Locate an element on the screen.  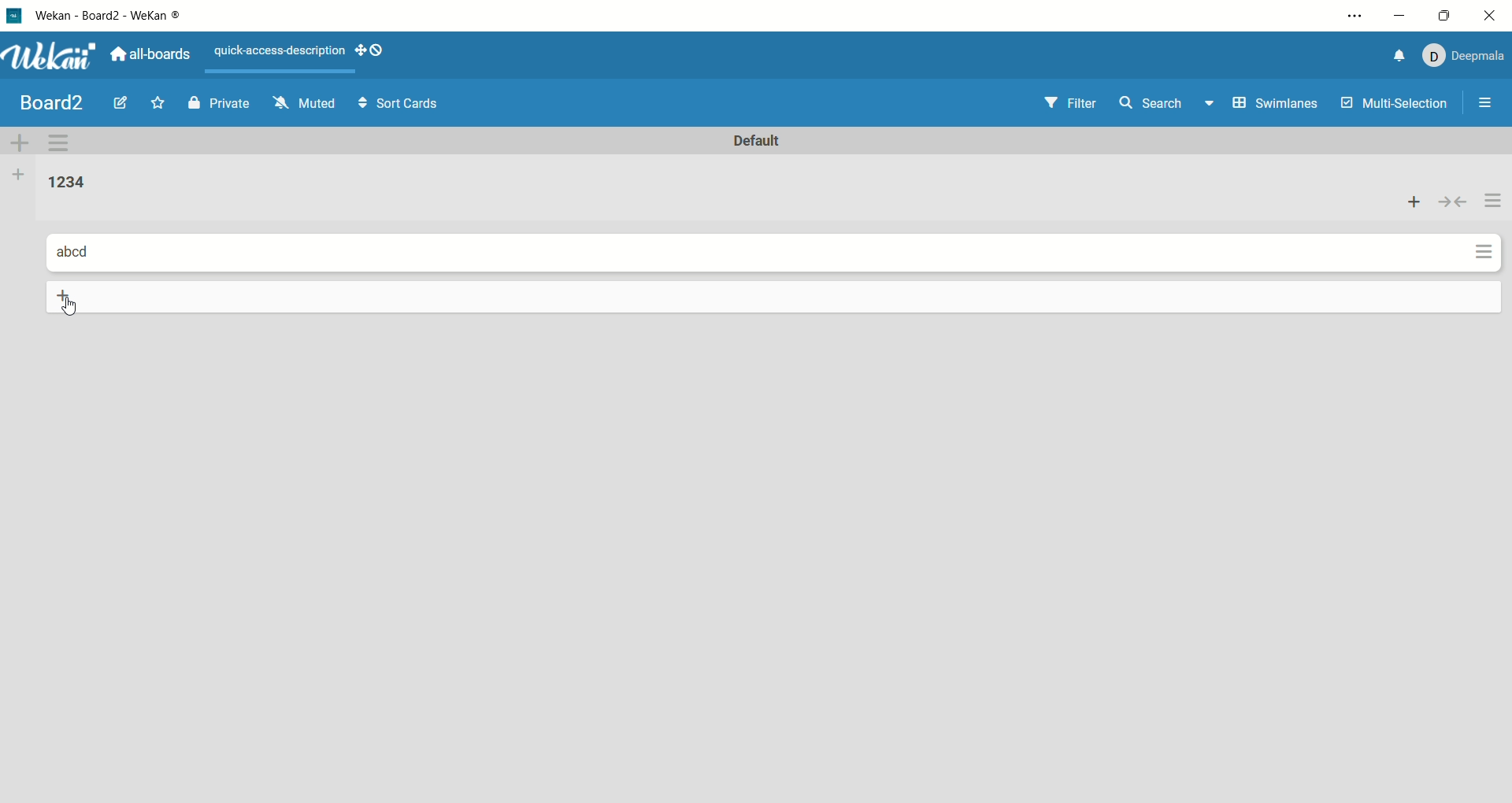
account is located at coordinates (1463, 53).